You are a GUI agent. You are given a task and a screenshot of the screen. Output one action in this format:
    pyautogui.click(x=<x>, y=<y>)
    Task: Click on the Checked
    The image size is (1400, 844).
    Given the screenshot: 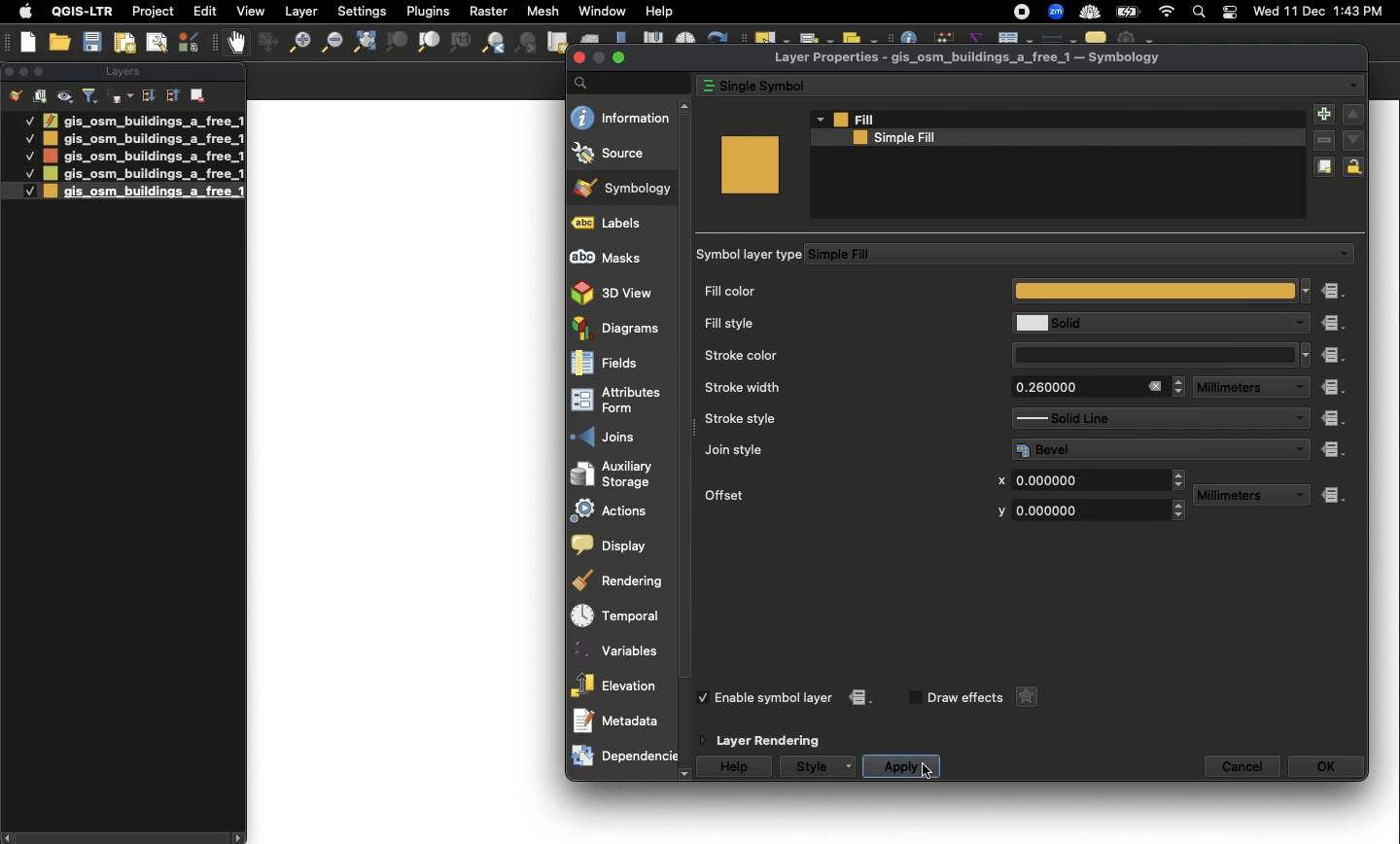 What is the action you would take?
    pyautogui.click(x=28, y=137)
    